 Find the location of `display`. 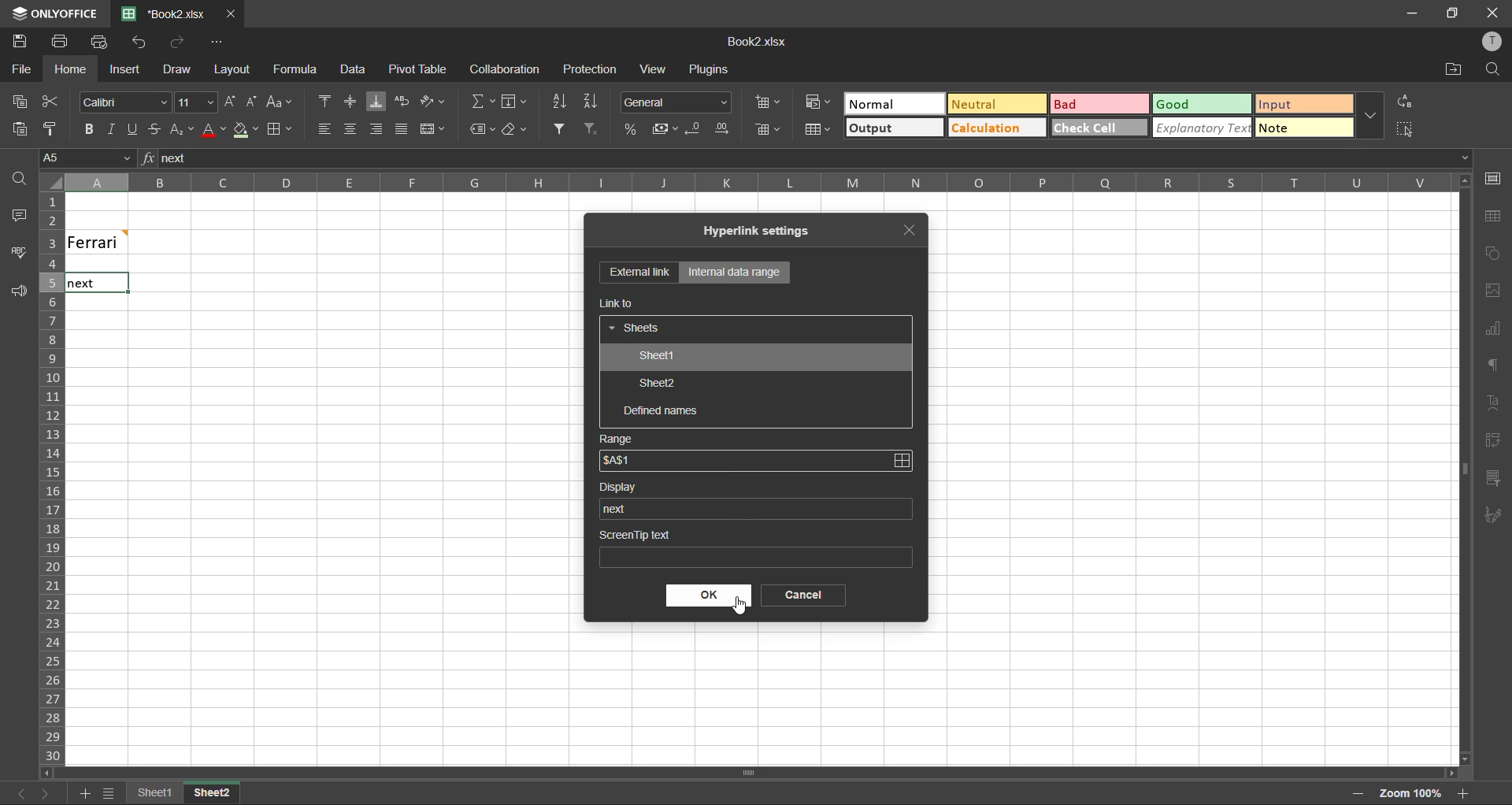

display is located at coordinates (624, 487).